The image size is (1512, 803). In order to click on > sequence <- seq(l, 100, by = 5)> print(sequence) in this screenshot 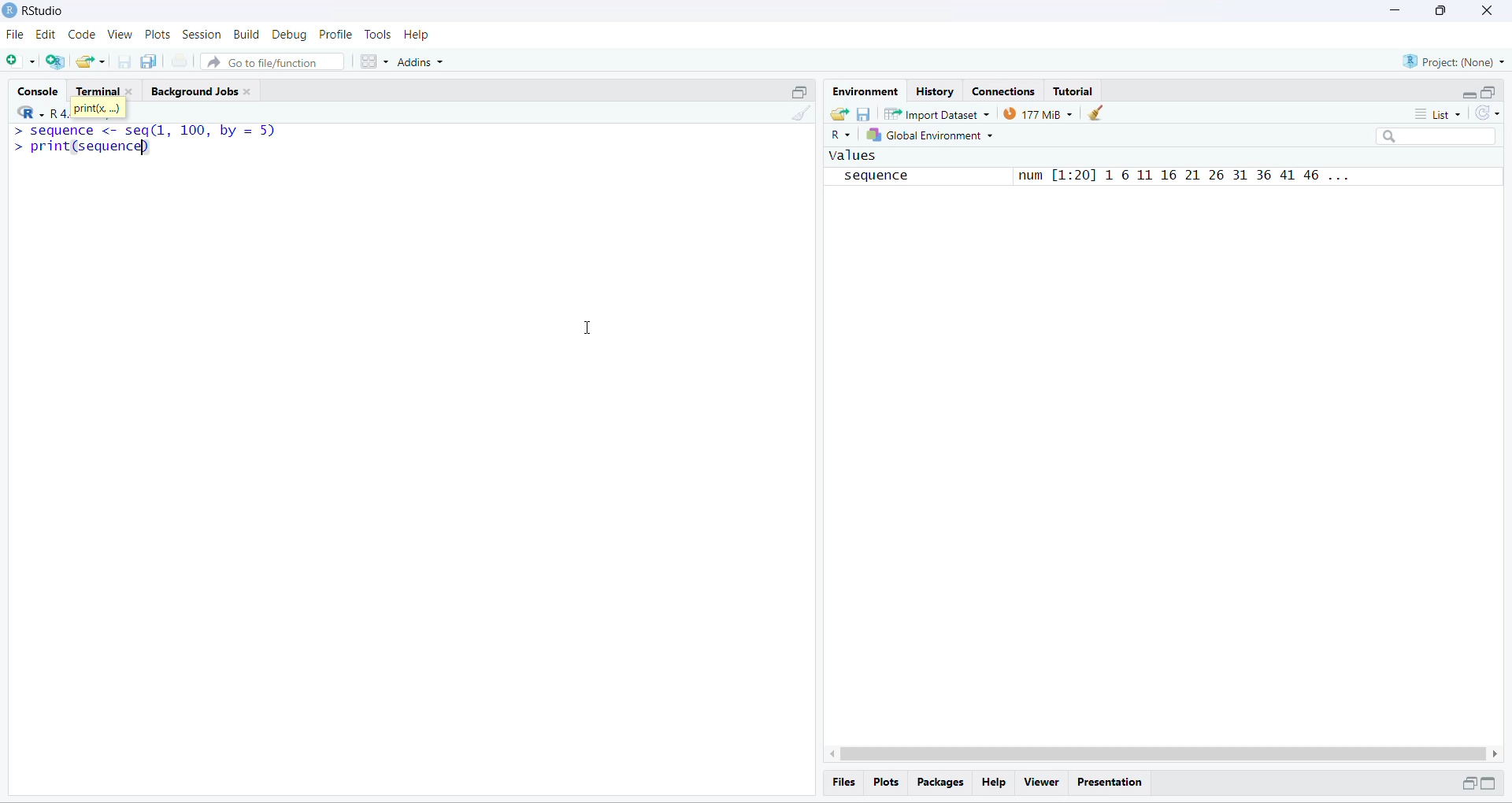, I will do `click(145, 141)`.